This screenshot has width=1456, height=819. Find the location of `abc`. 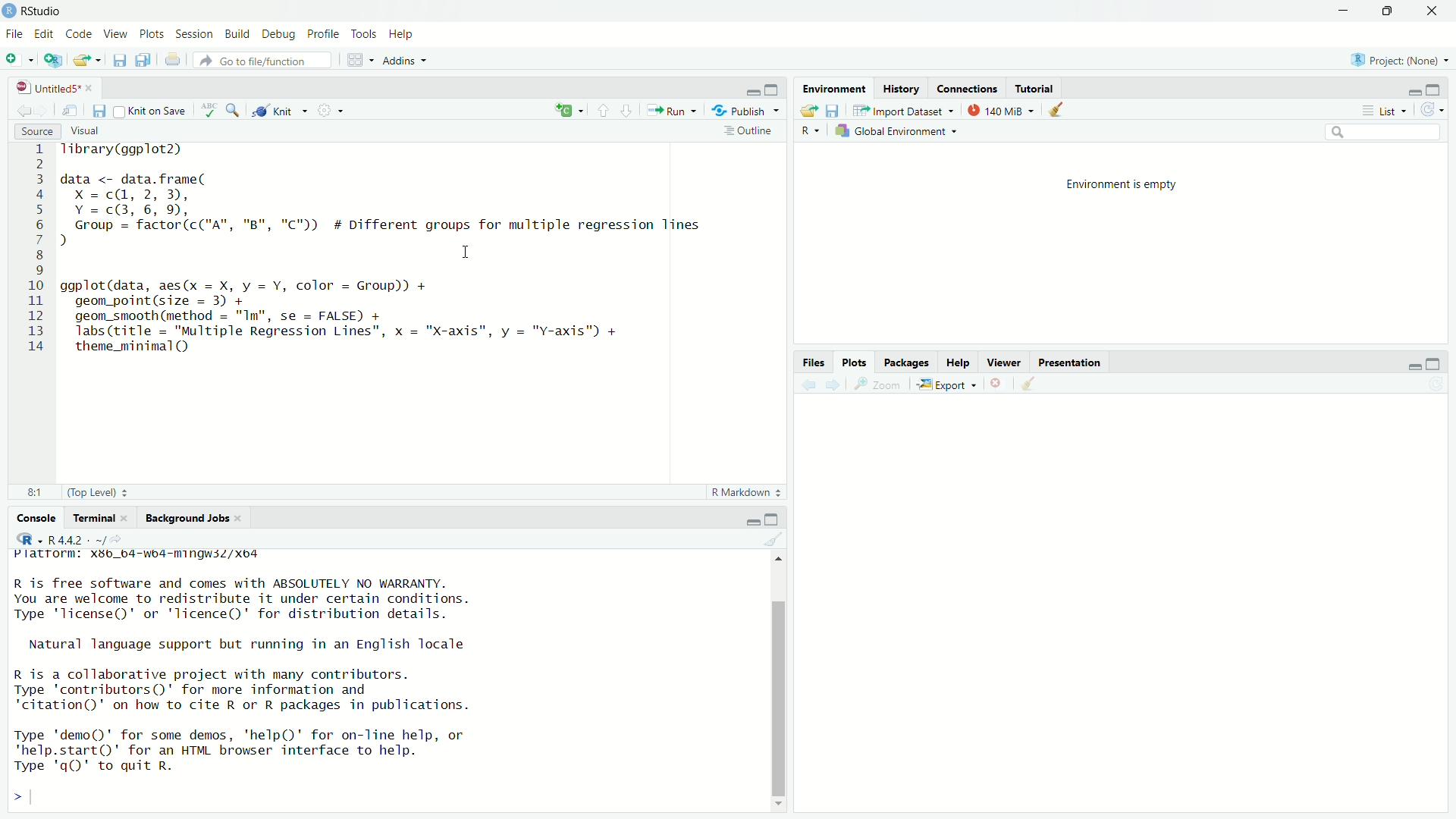

abc is located at coordinates (206, 110).